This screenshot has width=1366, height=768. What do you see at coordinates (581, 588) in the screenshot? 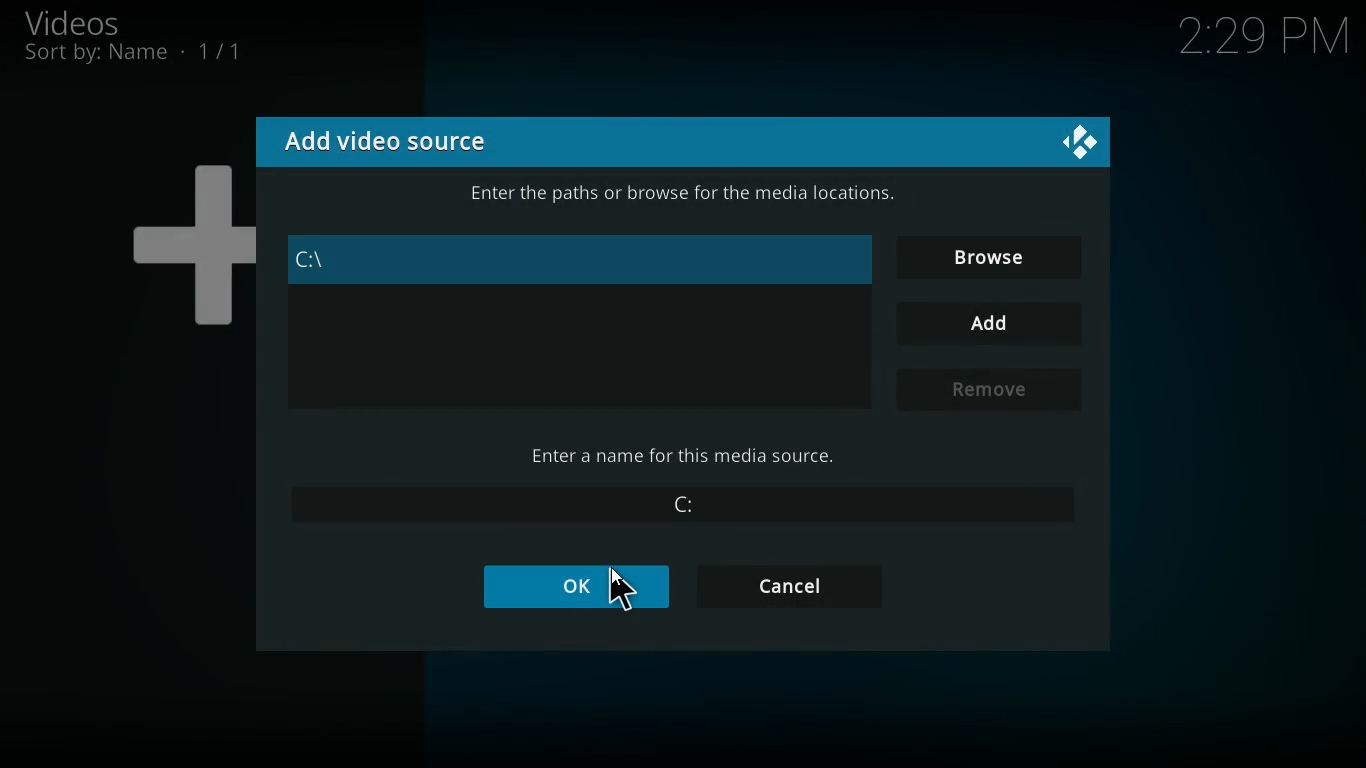
I see `ok` at bounding box center [581, 588].